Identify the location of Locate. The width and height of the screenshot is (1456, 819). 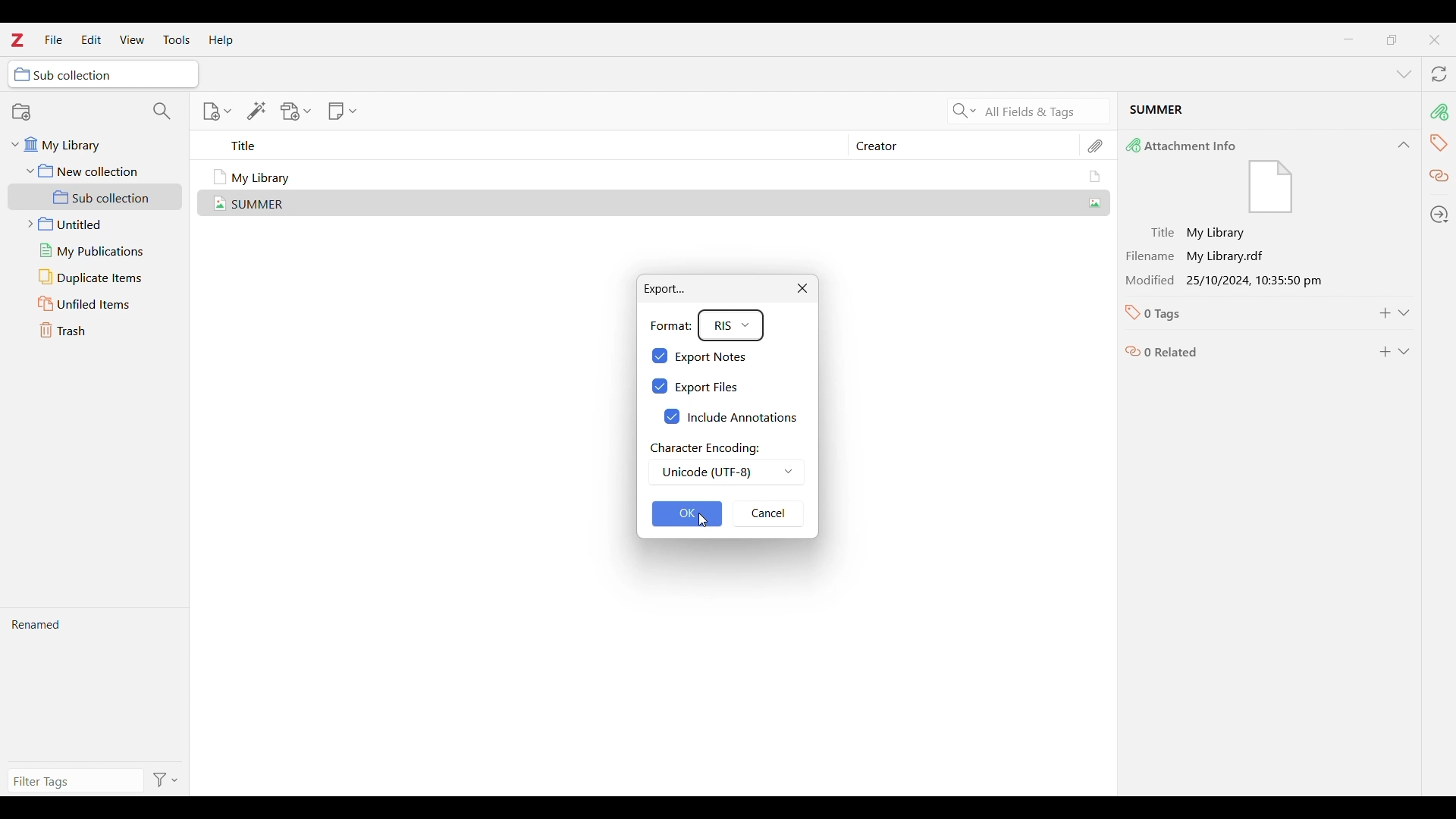
(1440, 214).